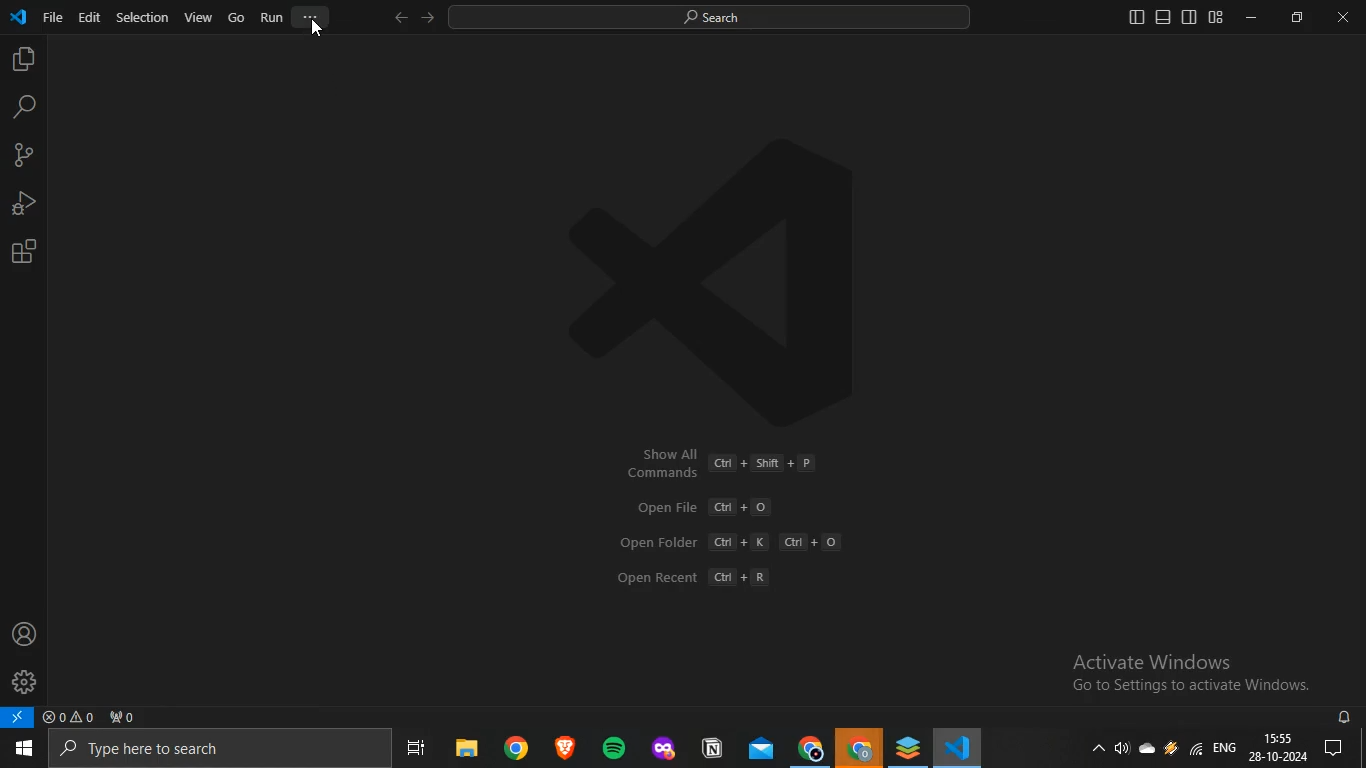 The width and height of the screenshot is (1366, 768). What do you see at coordinates (312, 19) in the screenshot?
I see `...` at bounding box center [312, 19].